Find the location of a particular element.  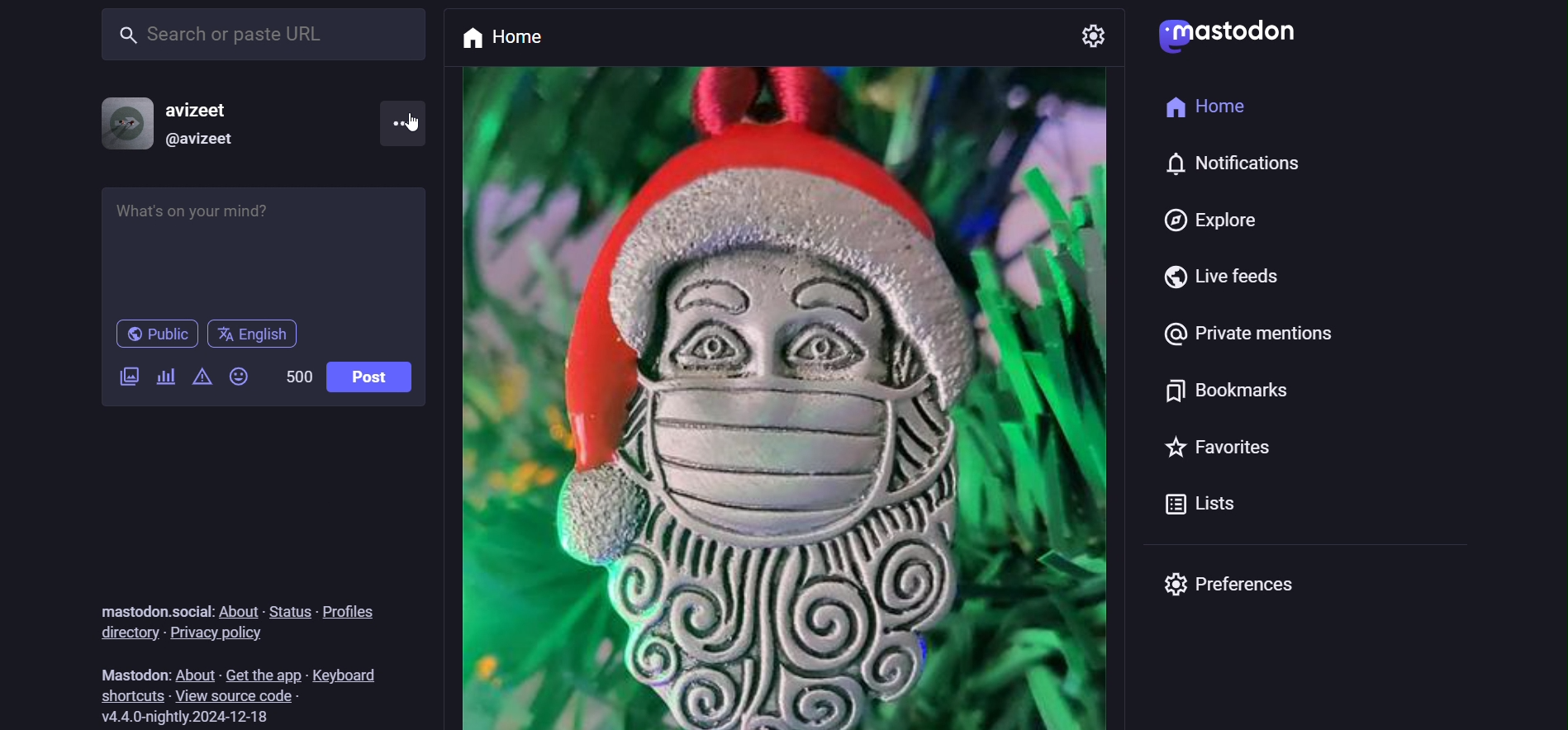

favorites is located at coordinates (1228, 450).